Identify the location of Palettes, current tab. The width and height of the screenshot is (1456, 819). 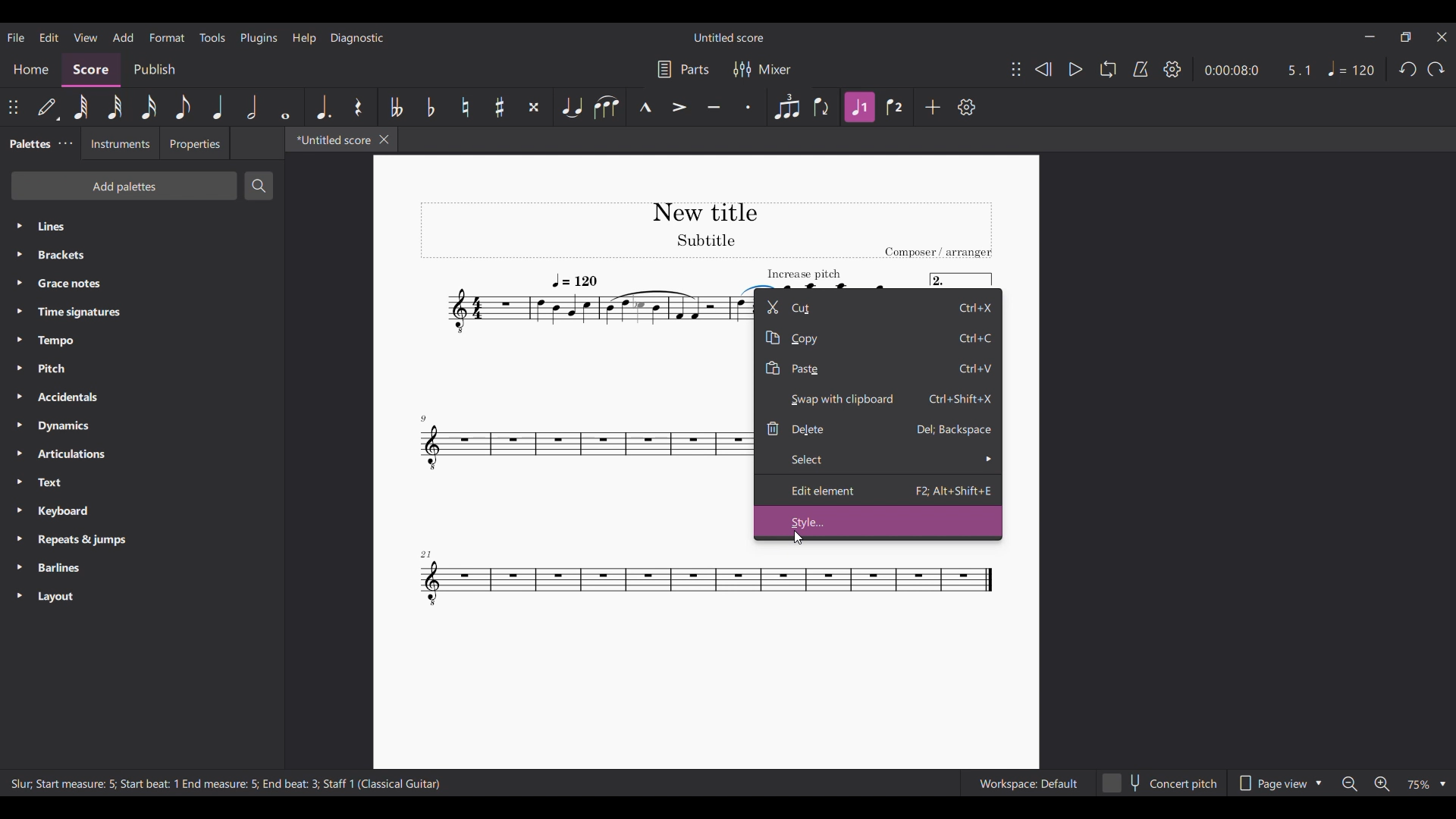
(28, 144).